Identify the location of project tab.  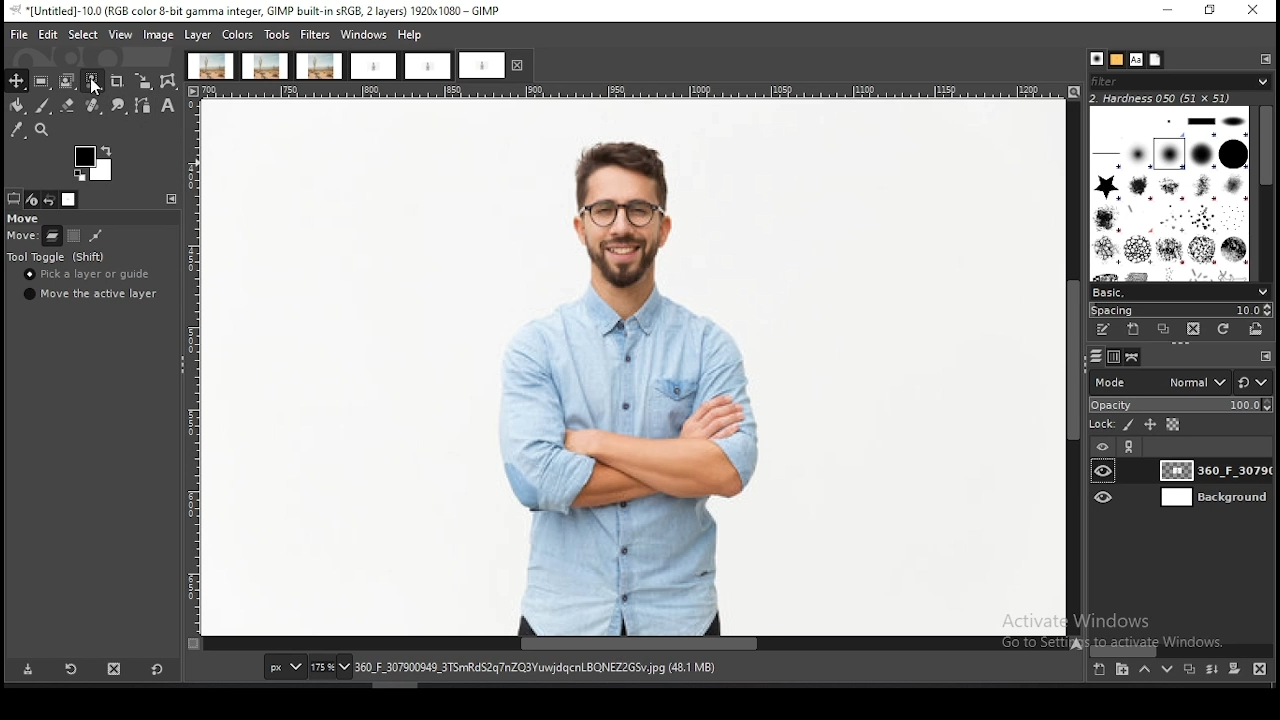
(373, 67).